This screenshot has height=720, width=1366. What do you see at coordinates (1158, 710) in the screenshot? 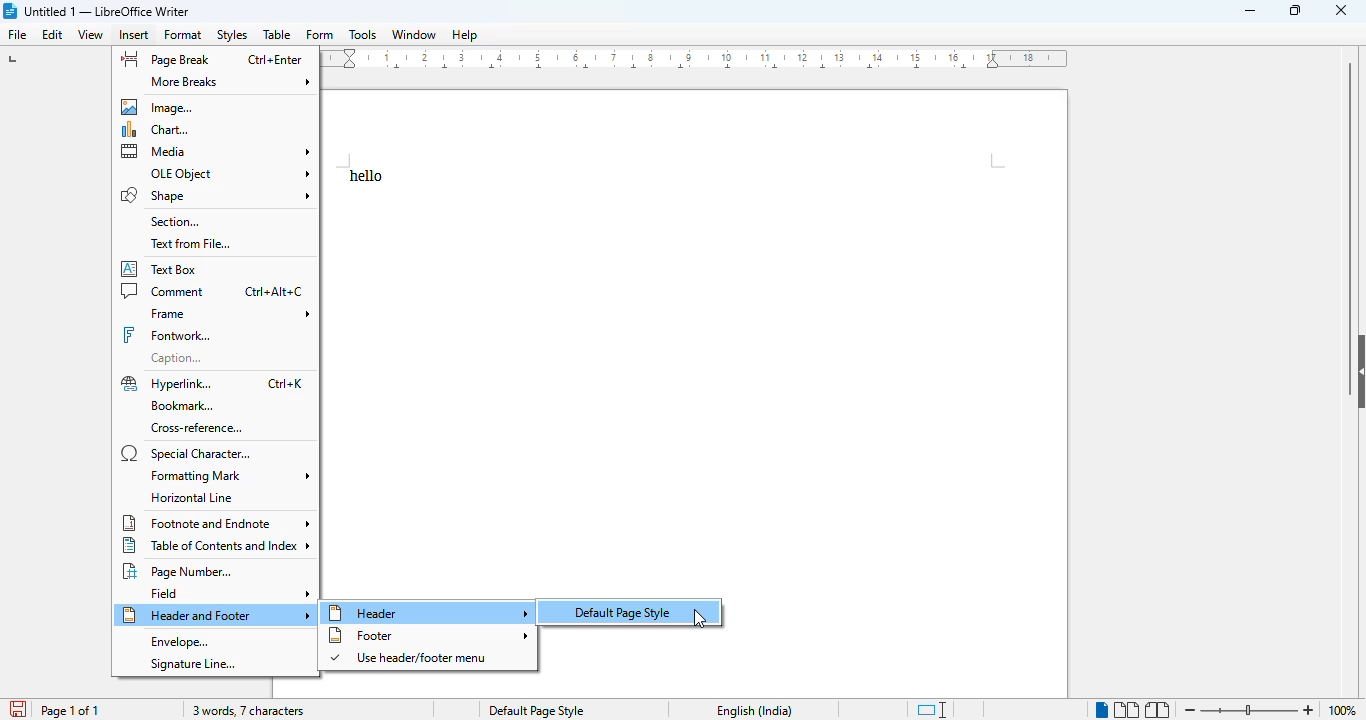
I see `book view` at bounding box center [1158, 710].